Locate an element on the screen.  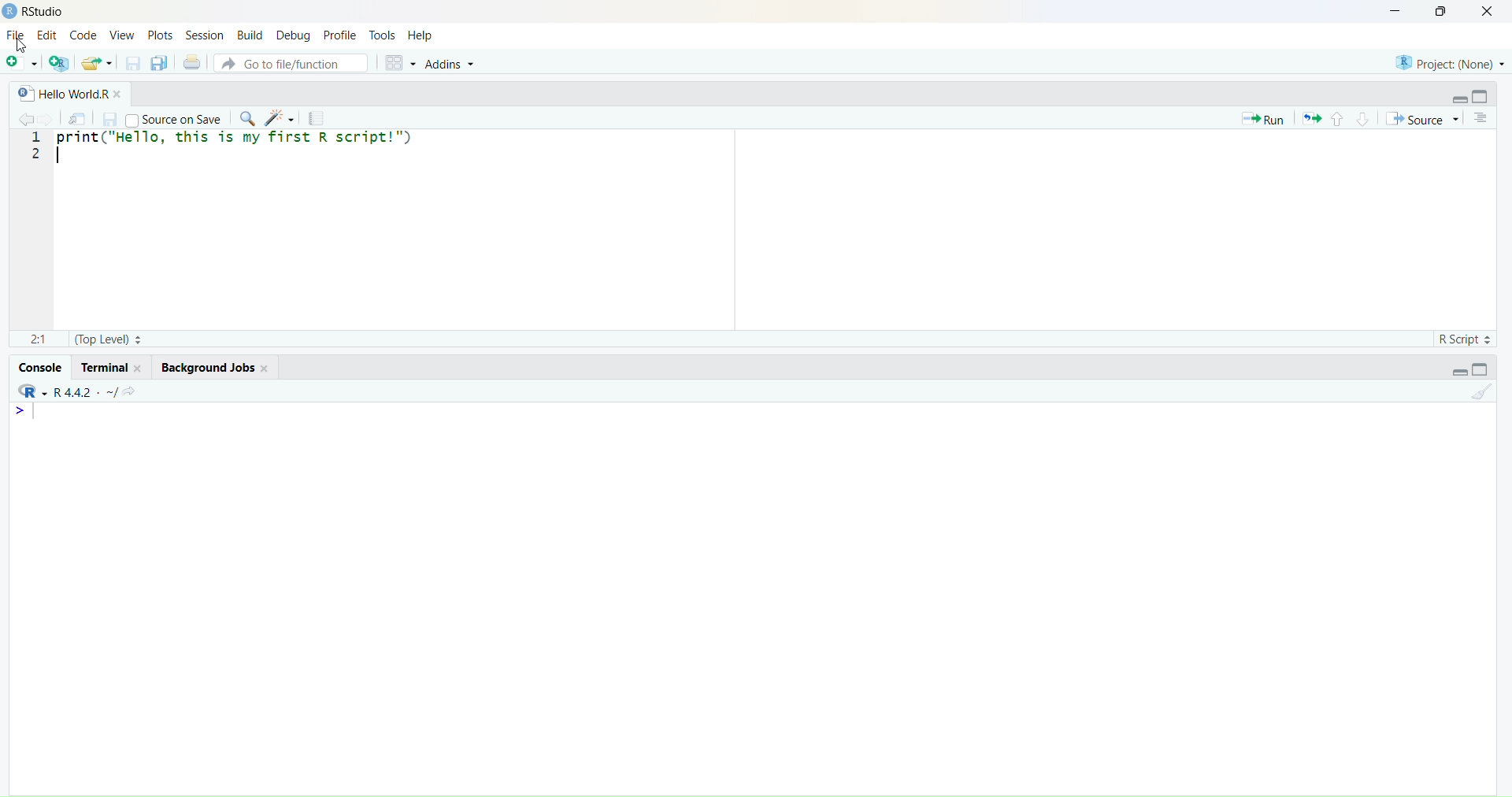
Build is located at coordinates (250, 35).